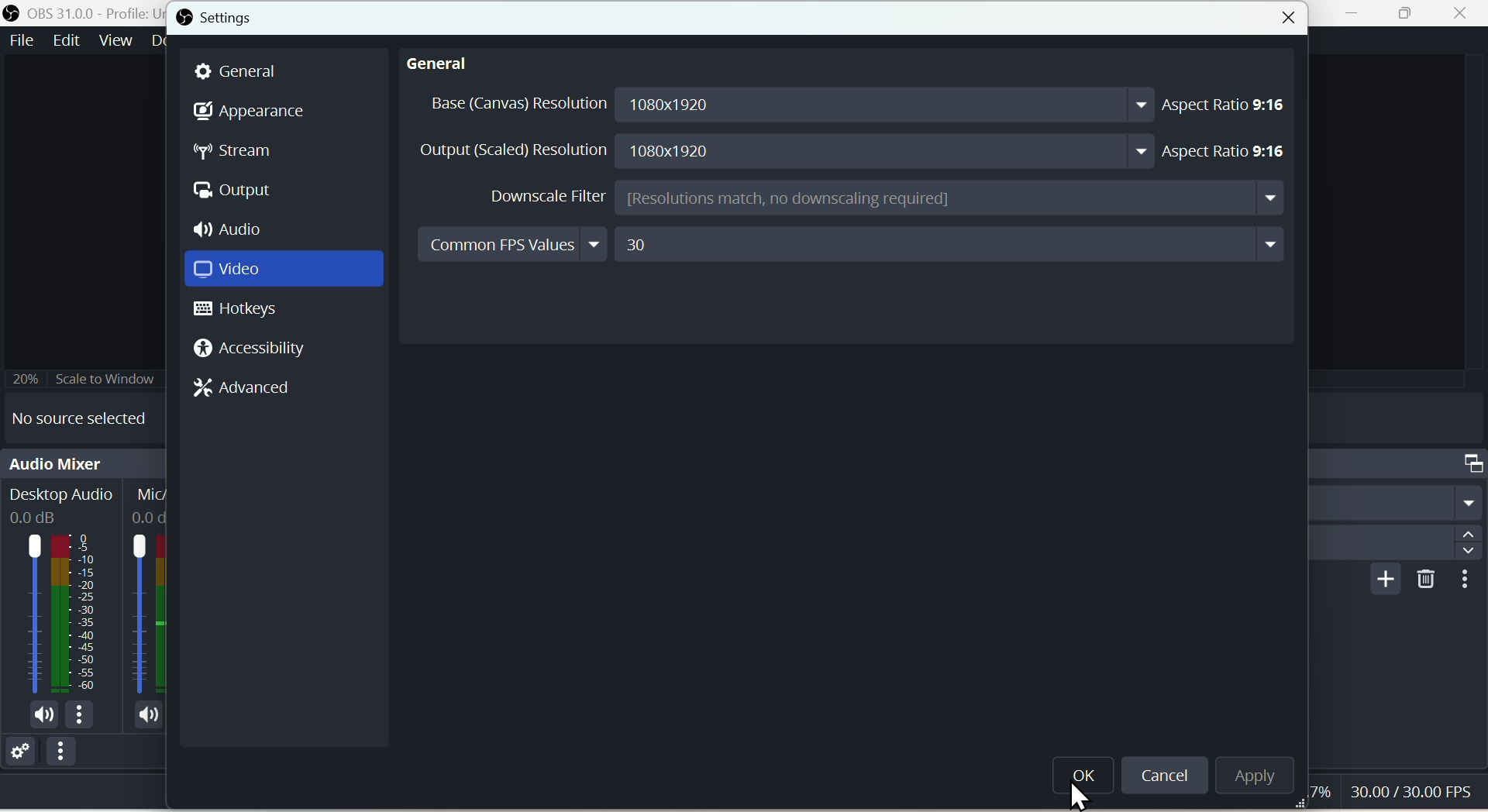  Describe the element at coordinates (1422, 580) in the screenshot. I see `Delete` at that location.